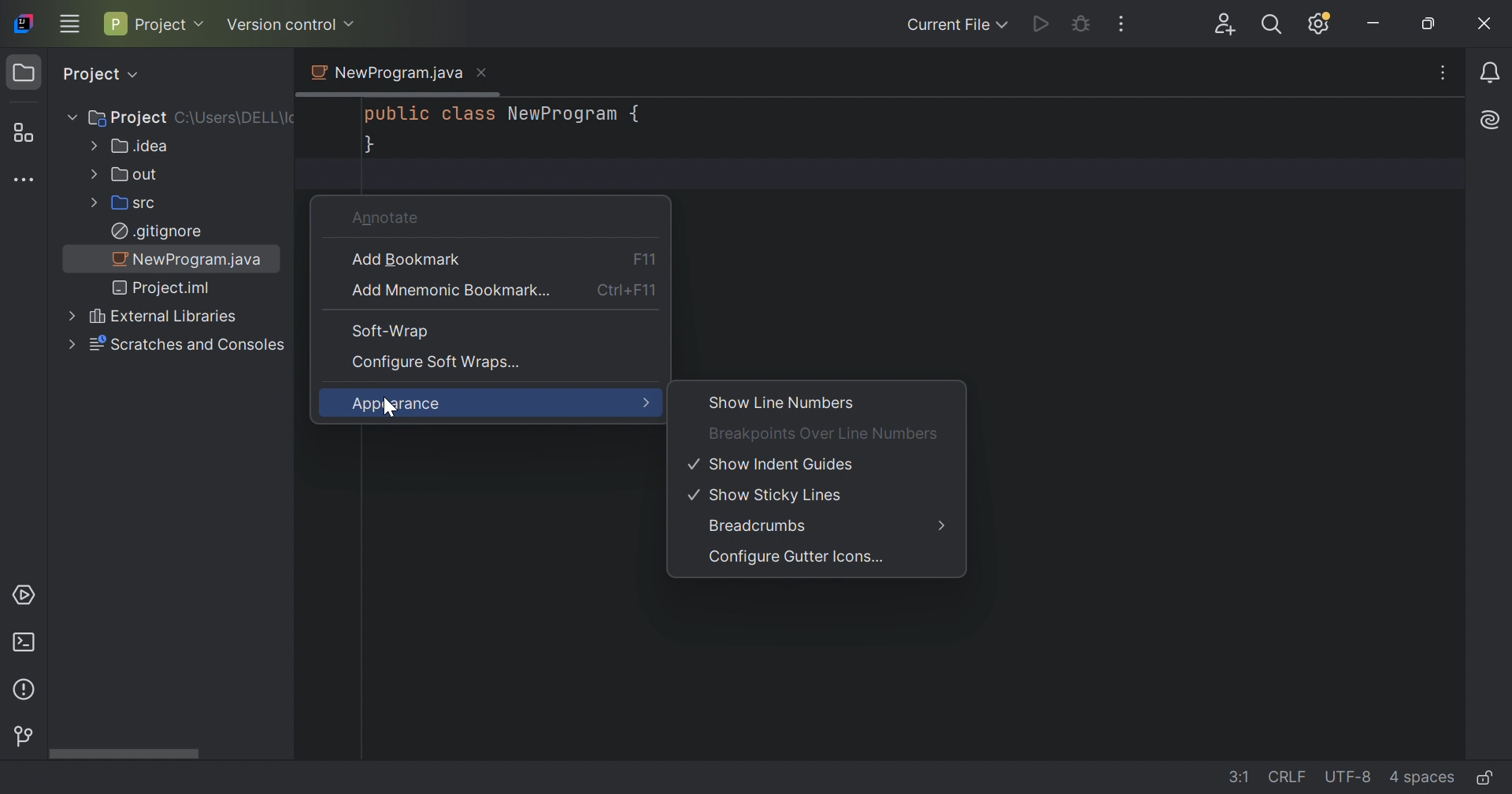 The width and height of the screenshot is (1512, 794). What do you see at coordinates (192, 258) in the screenshot?
I see `NewProgram.java` at bounding box center [192, 258].